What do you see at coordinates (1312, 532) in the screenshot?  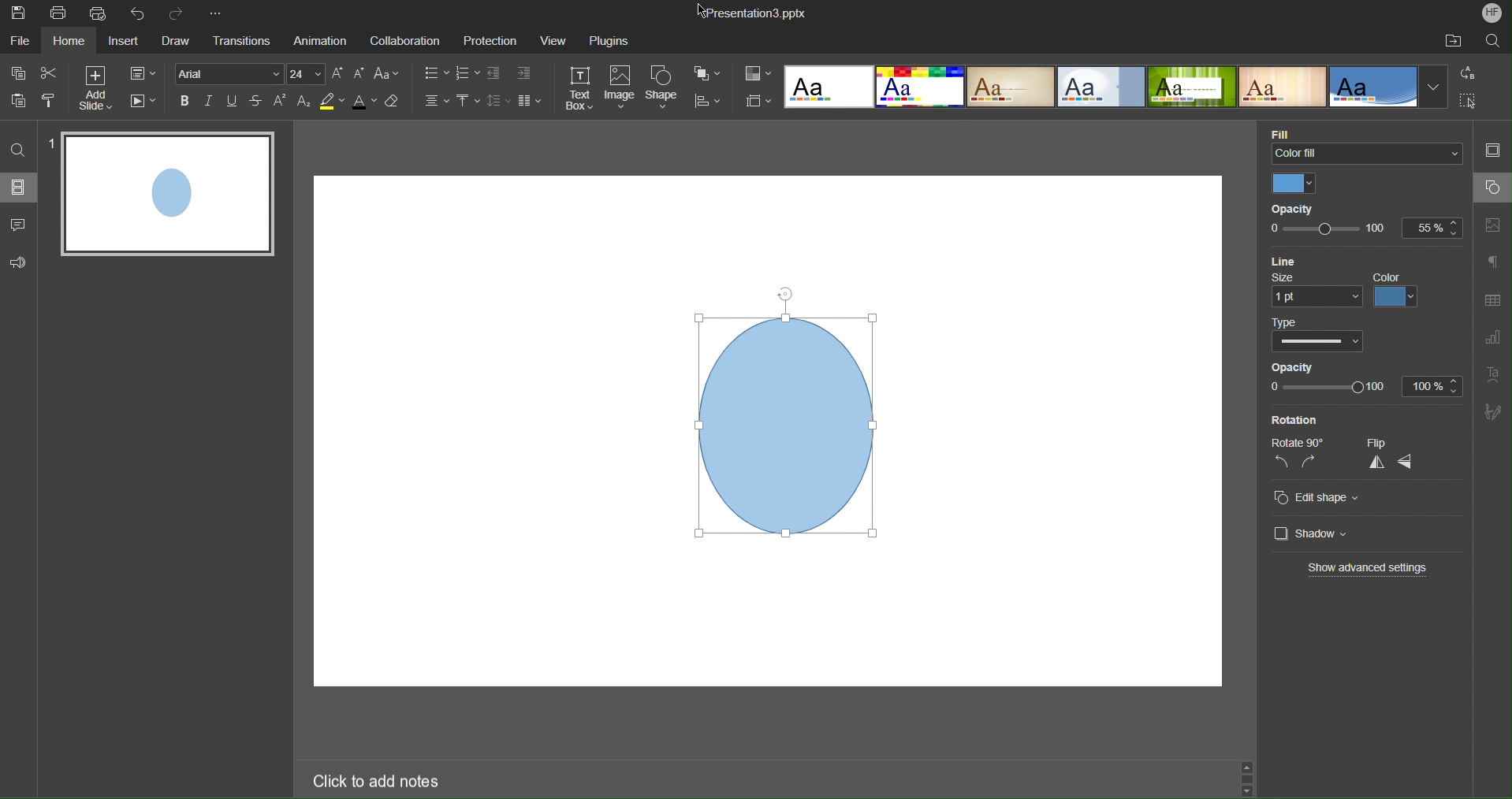 I see `Shadow` at bounding box center [1312, 532].